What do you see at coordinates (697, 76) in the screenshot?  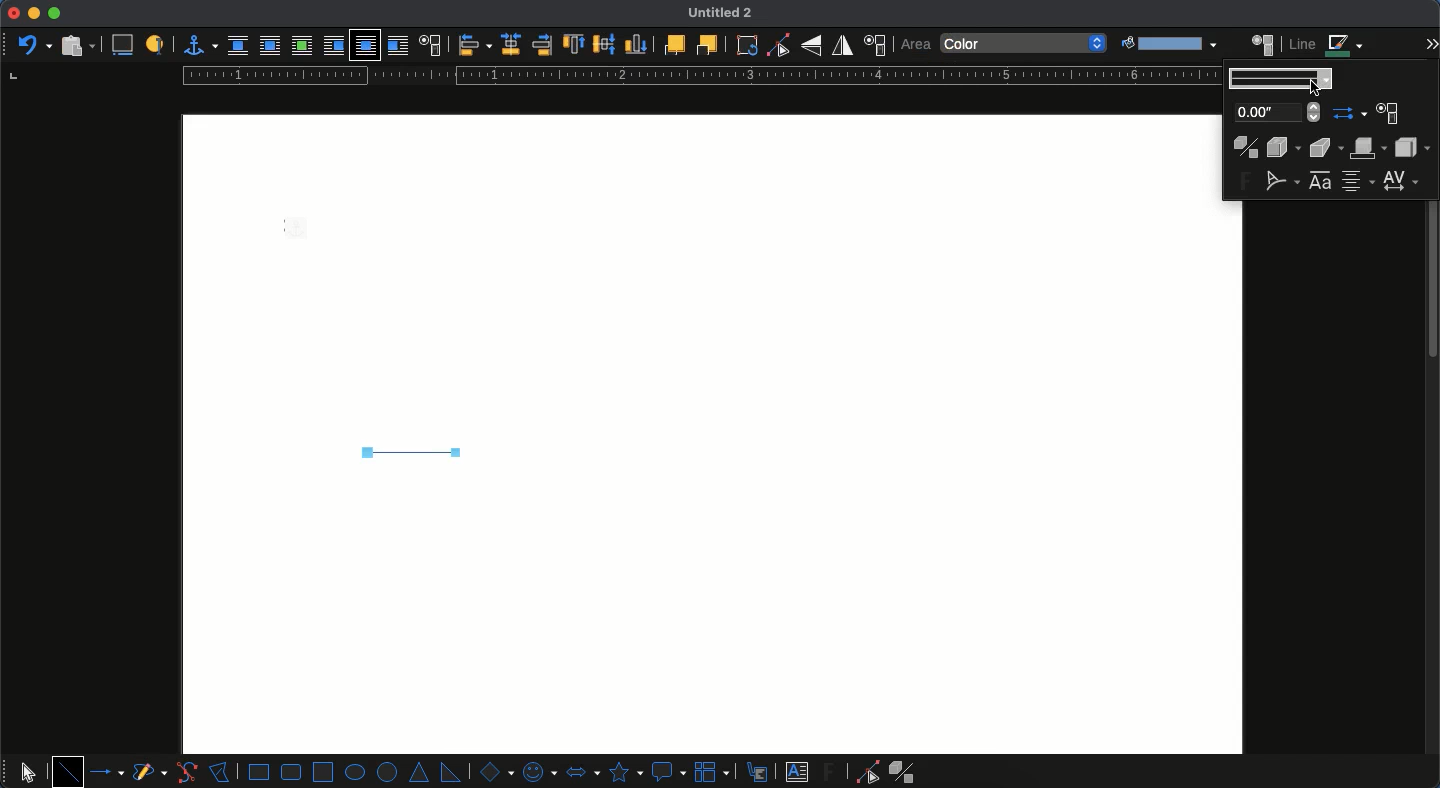 I see `ruler` at bounding box center [697, 76].